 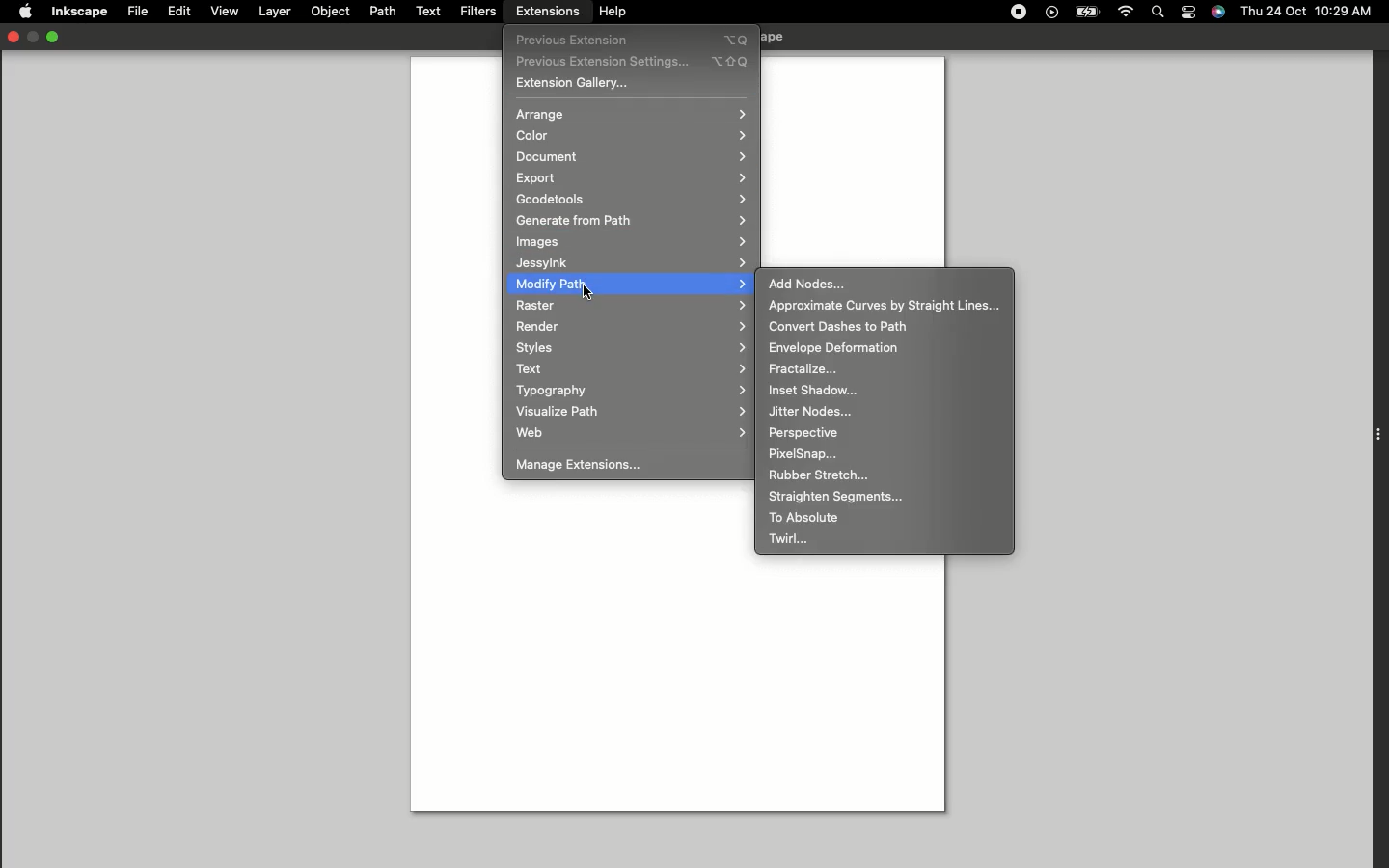 I want to click on Cursor, so click(x=591, y=292).